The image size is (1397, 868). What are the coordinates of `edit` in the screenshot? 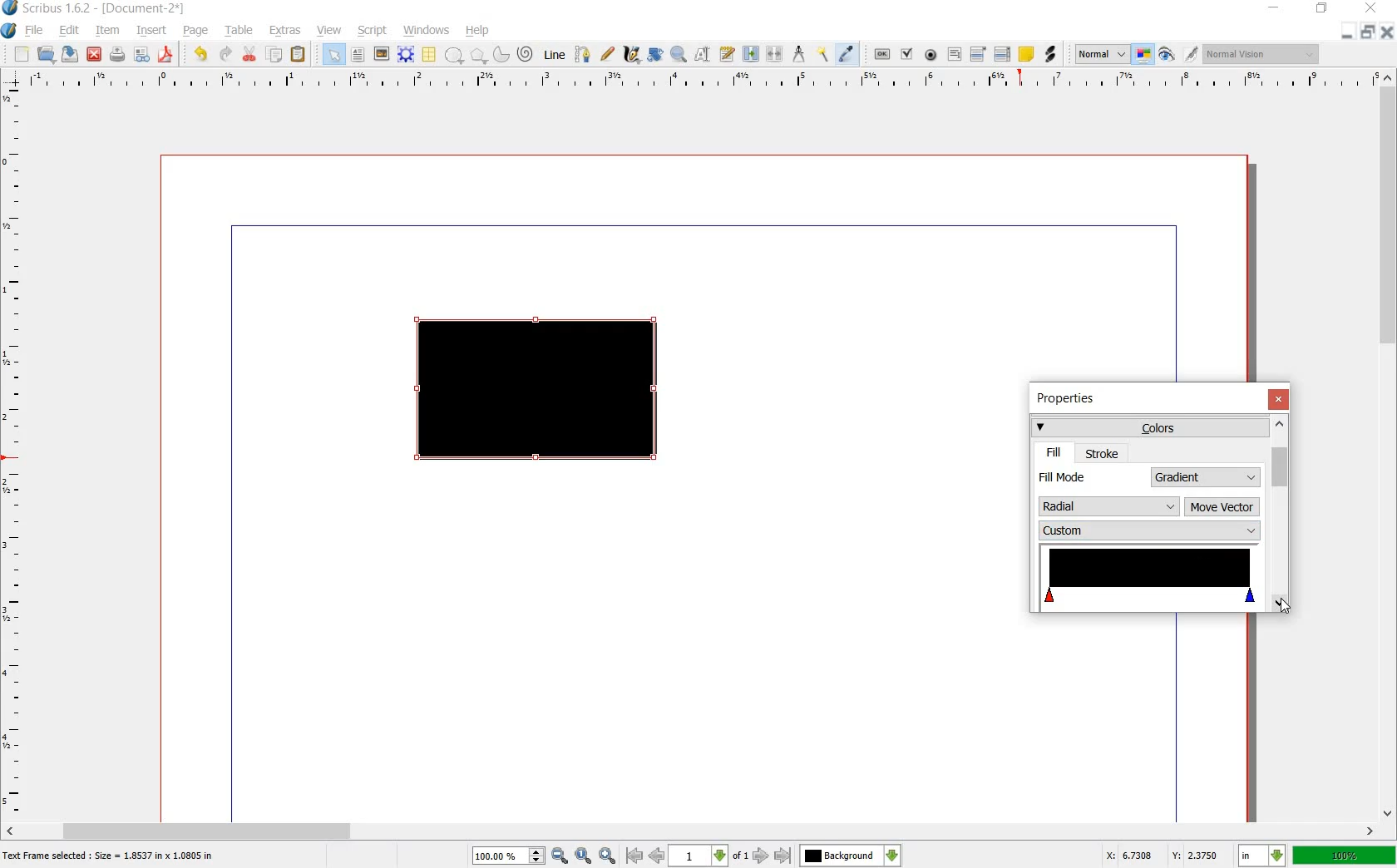 It's located at (70, 31).